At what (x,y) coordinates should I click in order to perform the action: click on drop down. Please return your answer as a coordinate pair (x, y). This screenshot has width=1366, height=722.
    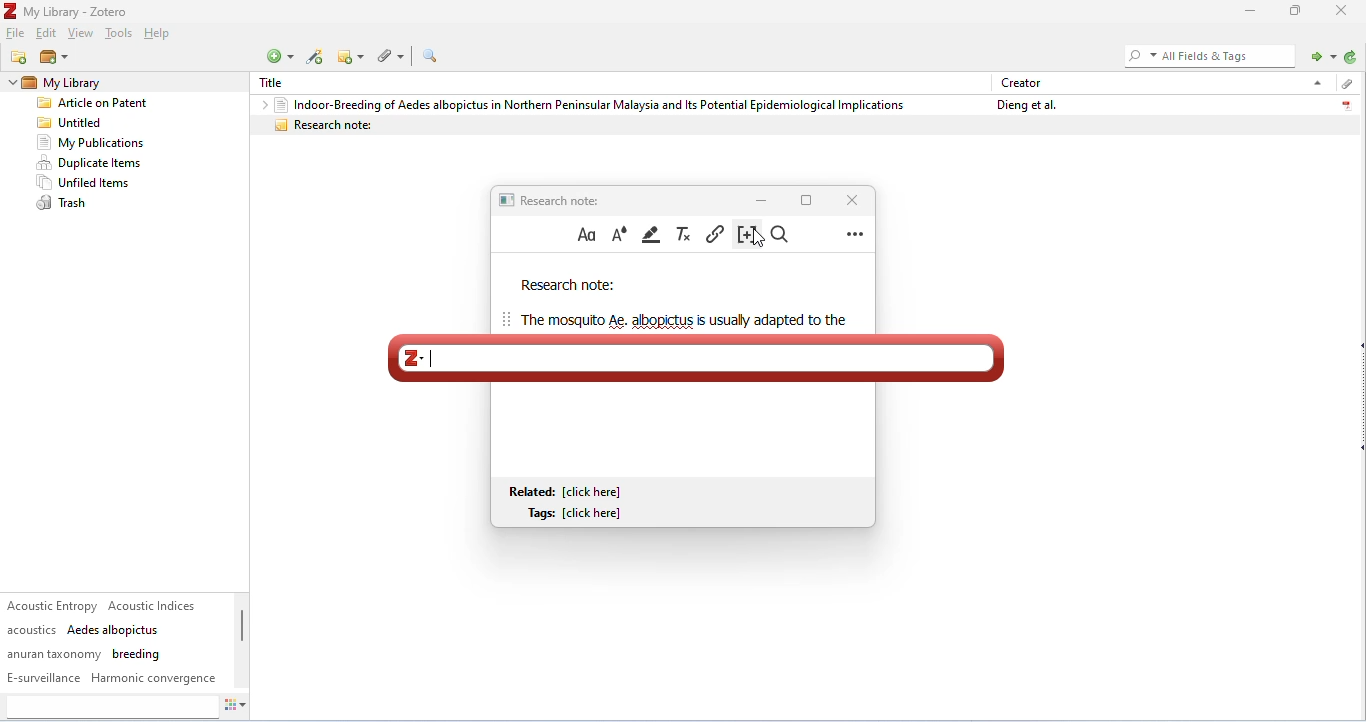
    Looking at the image, I should click on (260, 105).